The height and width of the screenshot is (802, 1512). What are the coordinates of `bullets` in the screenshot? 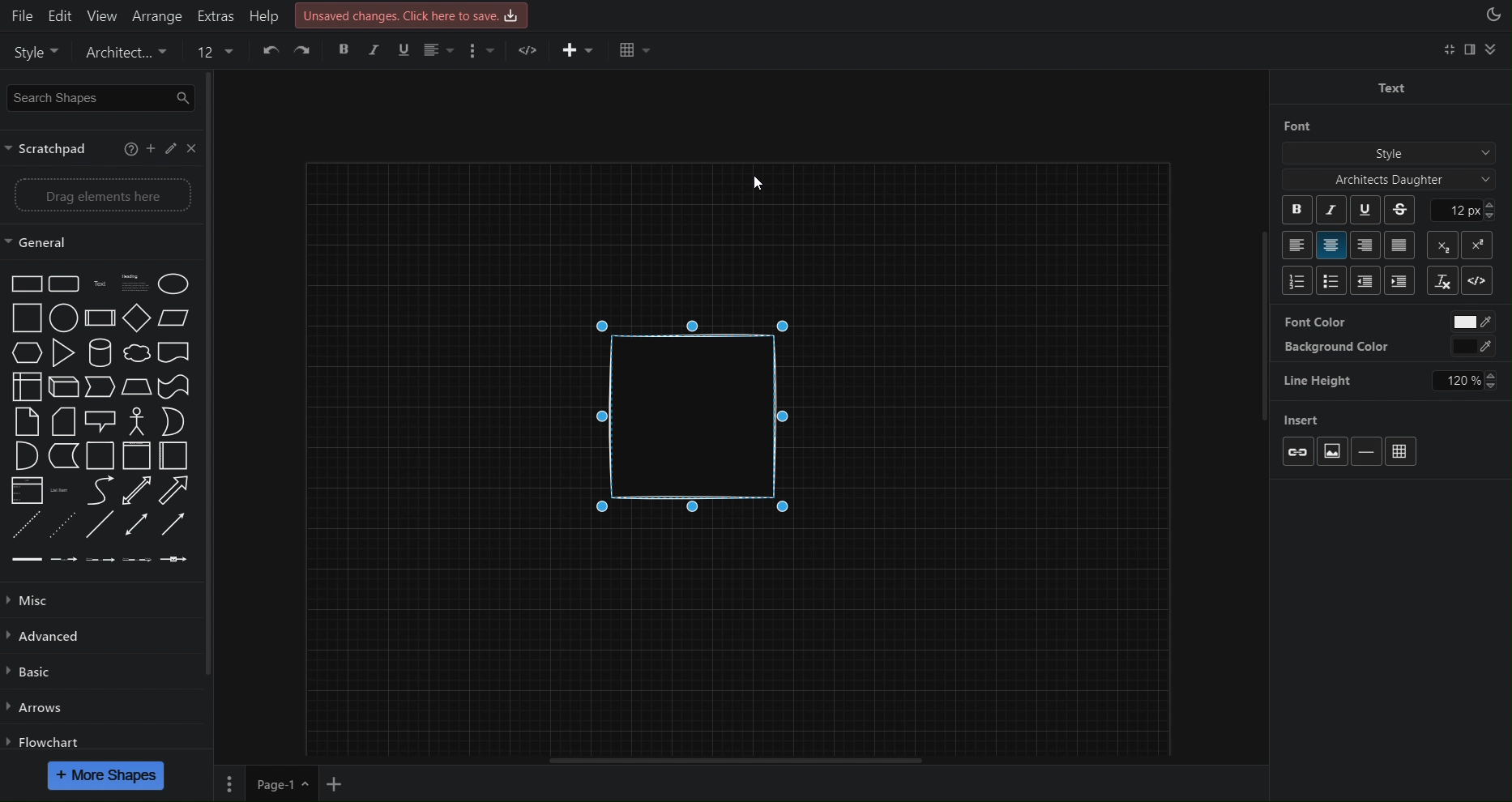 It's located at (1294, 281).